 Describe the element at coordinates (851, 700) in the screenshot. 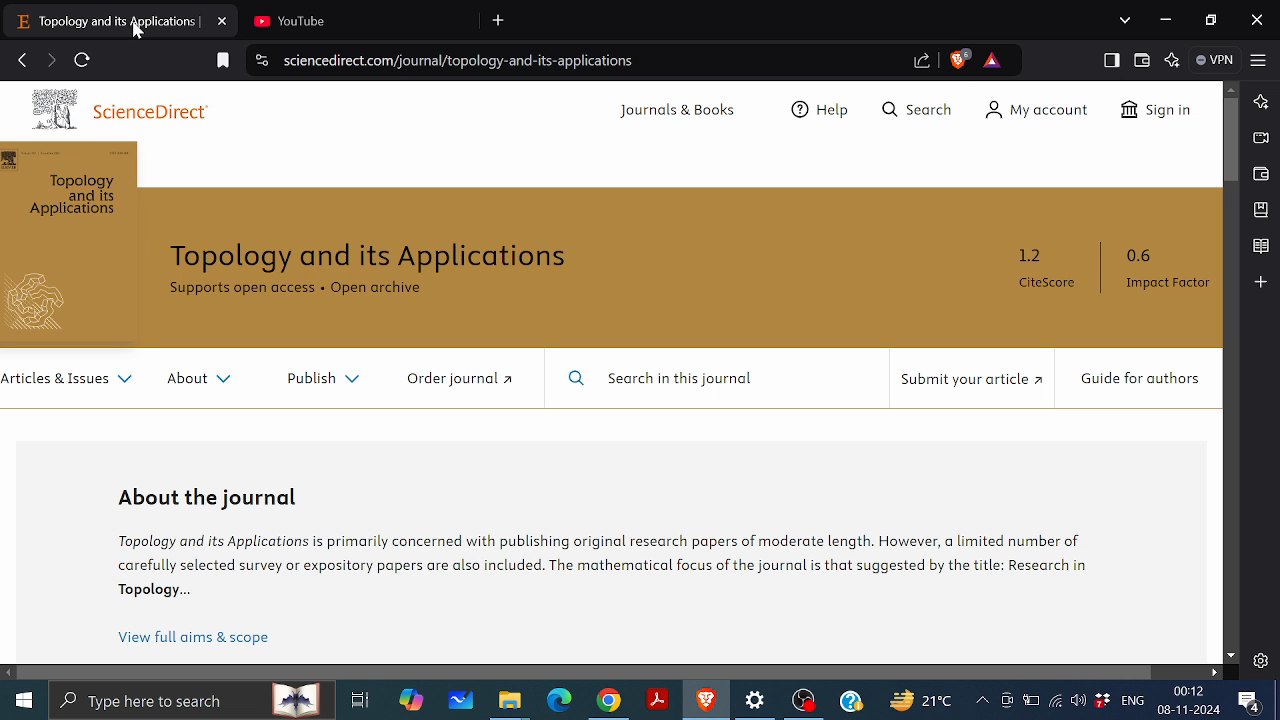

I see `Help` at that location.